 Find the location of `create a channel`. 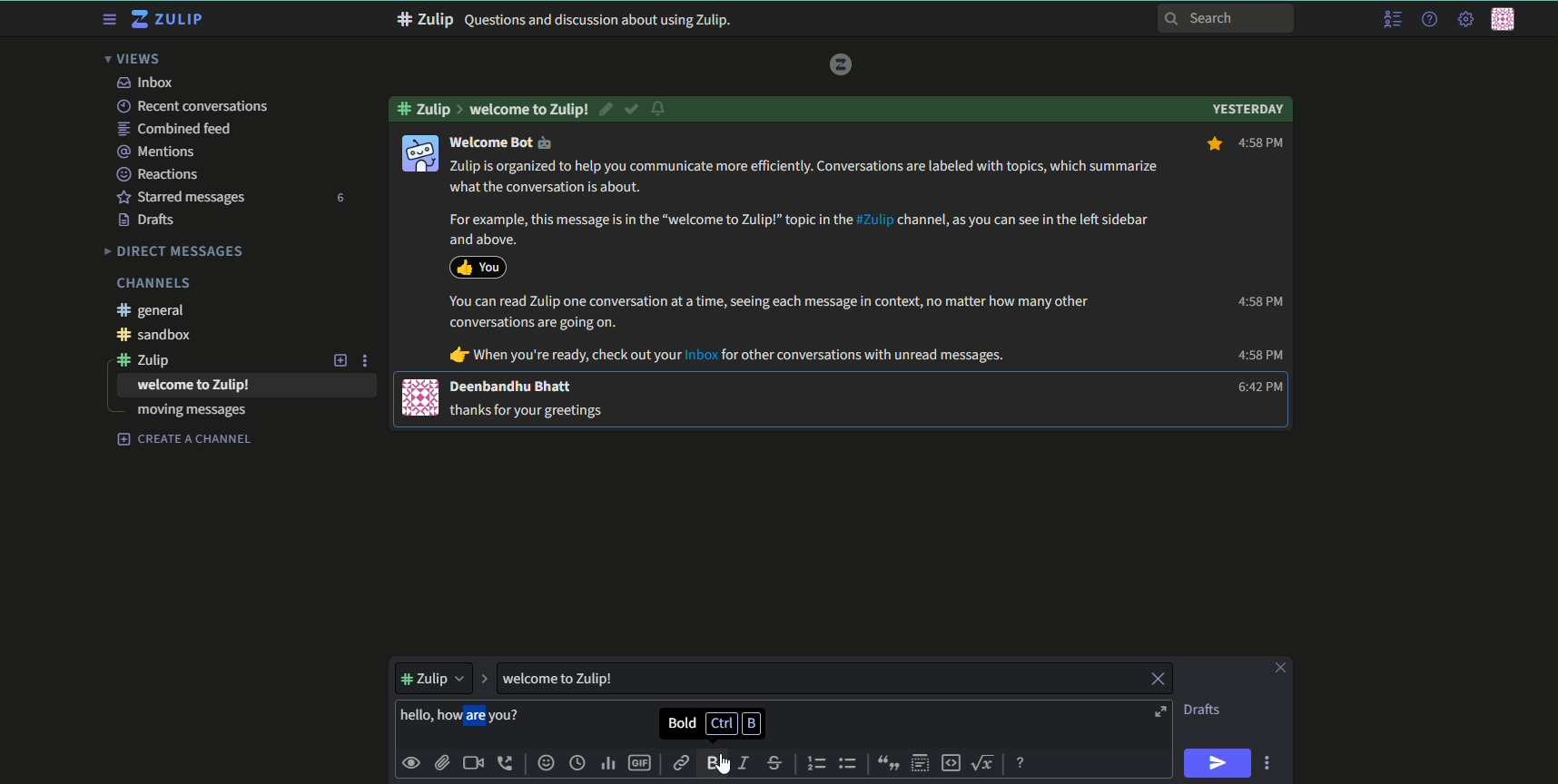

create a channel is located at coordinates (185, 439).